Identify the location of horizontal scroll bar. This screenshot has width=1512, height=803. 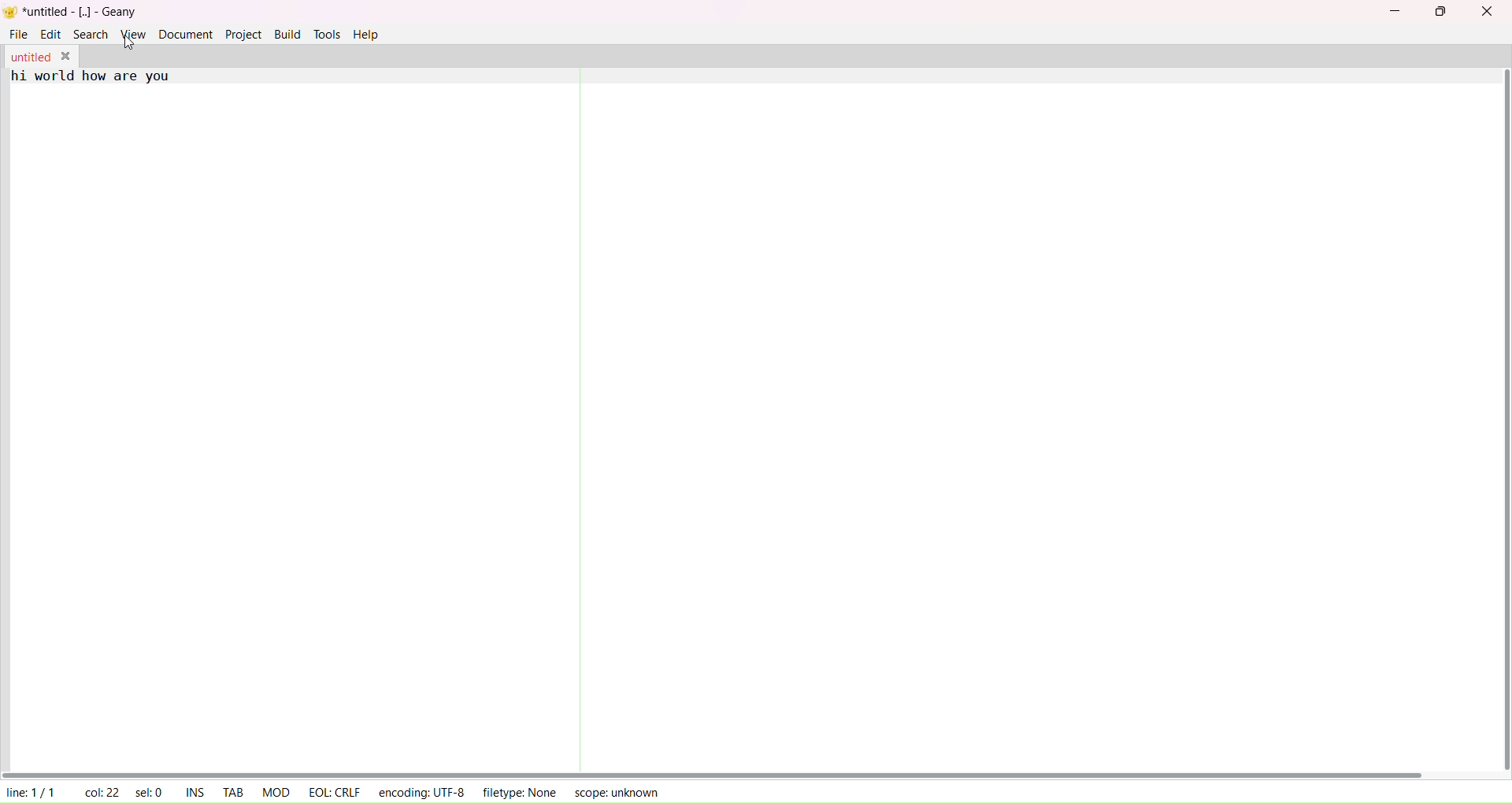
(713, 772).